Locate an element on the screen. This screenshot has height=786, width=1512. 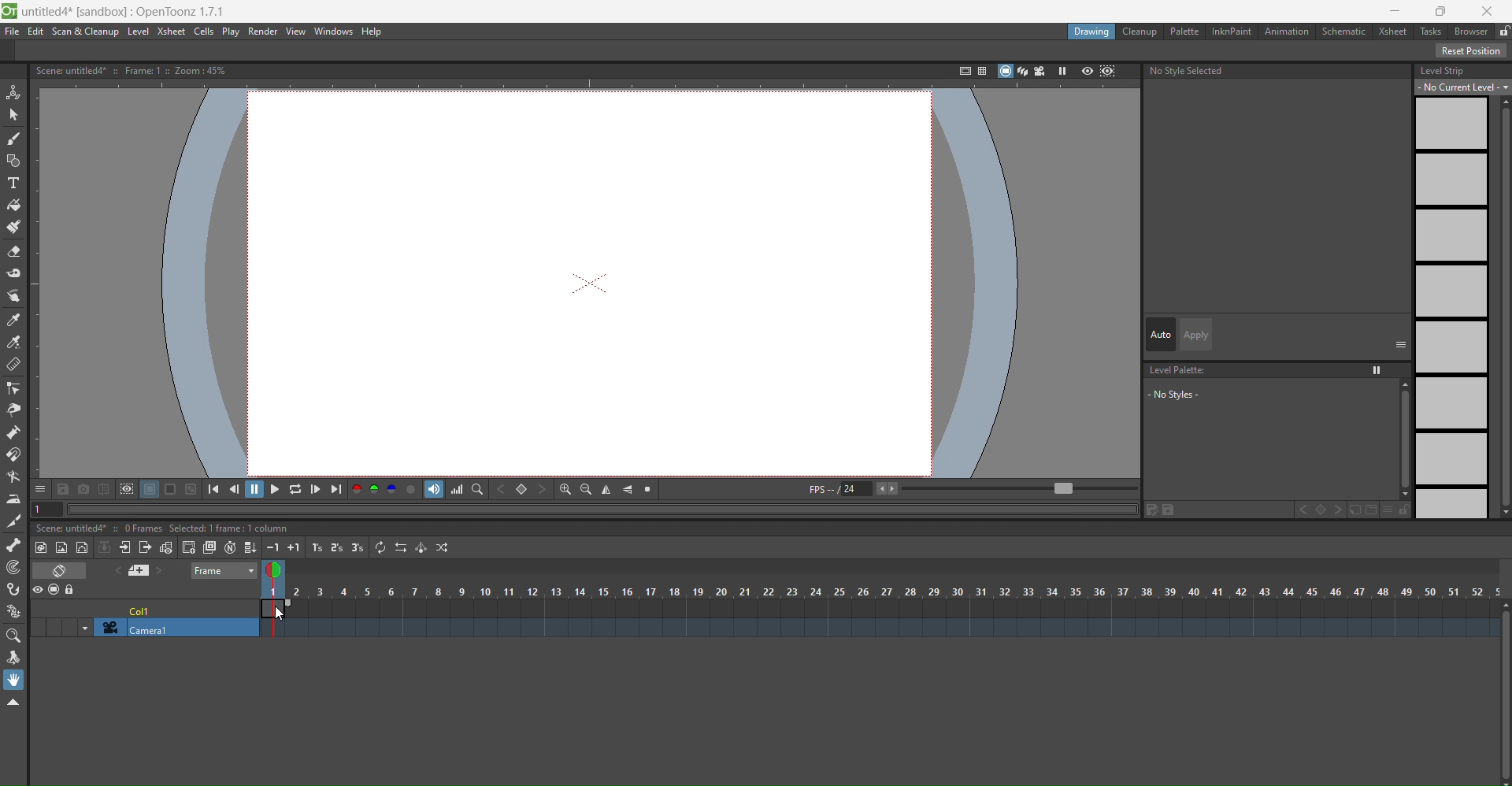
camera1 is located at coordinates (171, 628).